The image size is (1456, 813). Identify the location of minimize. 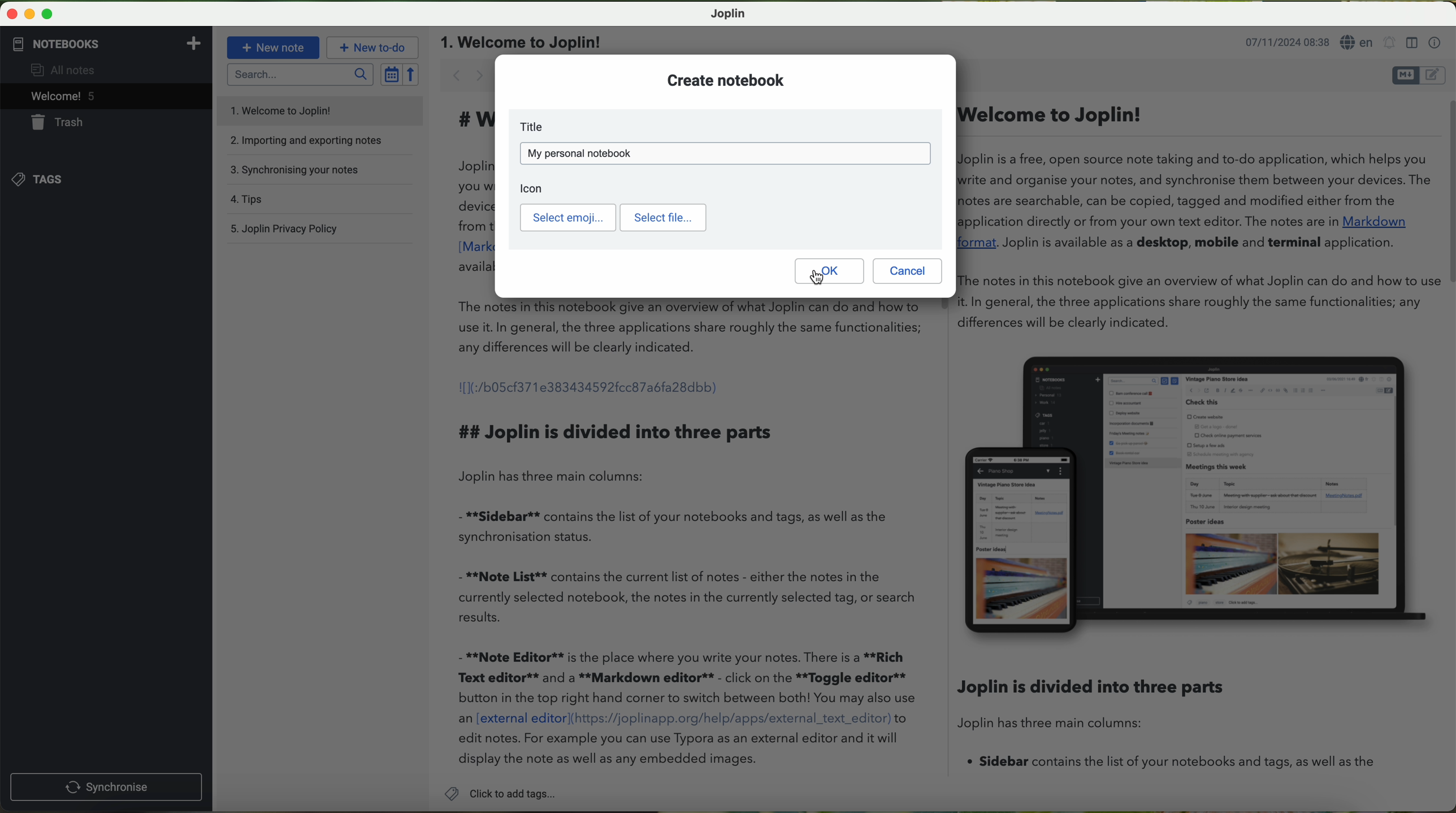
(31, 15).